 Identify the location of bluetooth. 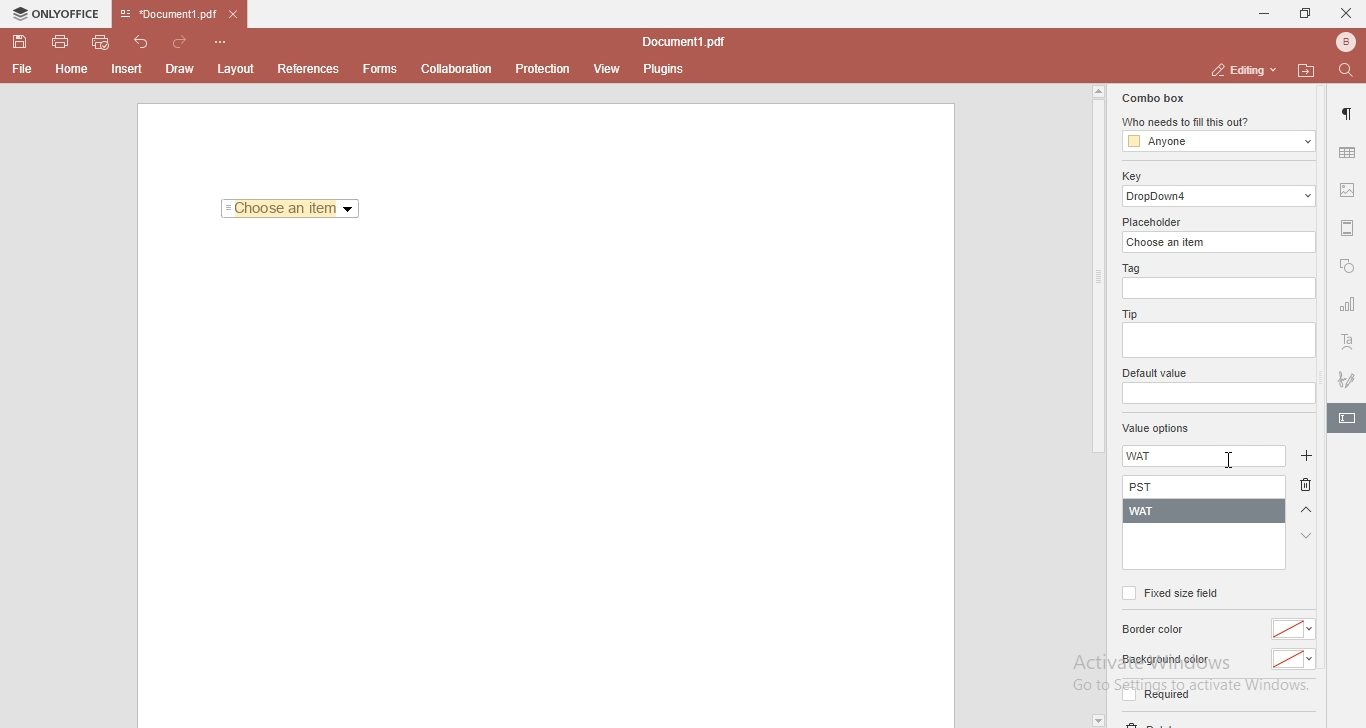
(1340, 42).